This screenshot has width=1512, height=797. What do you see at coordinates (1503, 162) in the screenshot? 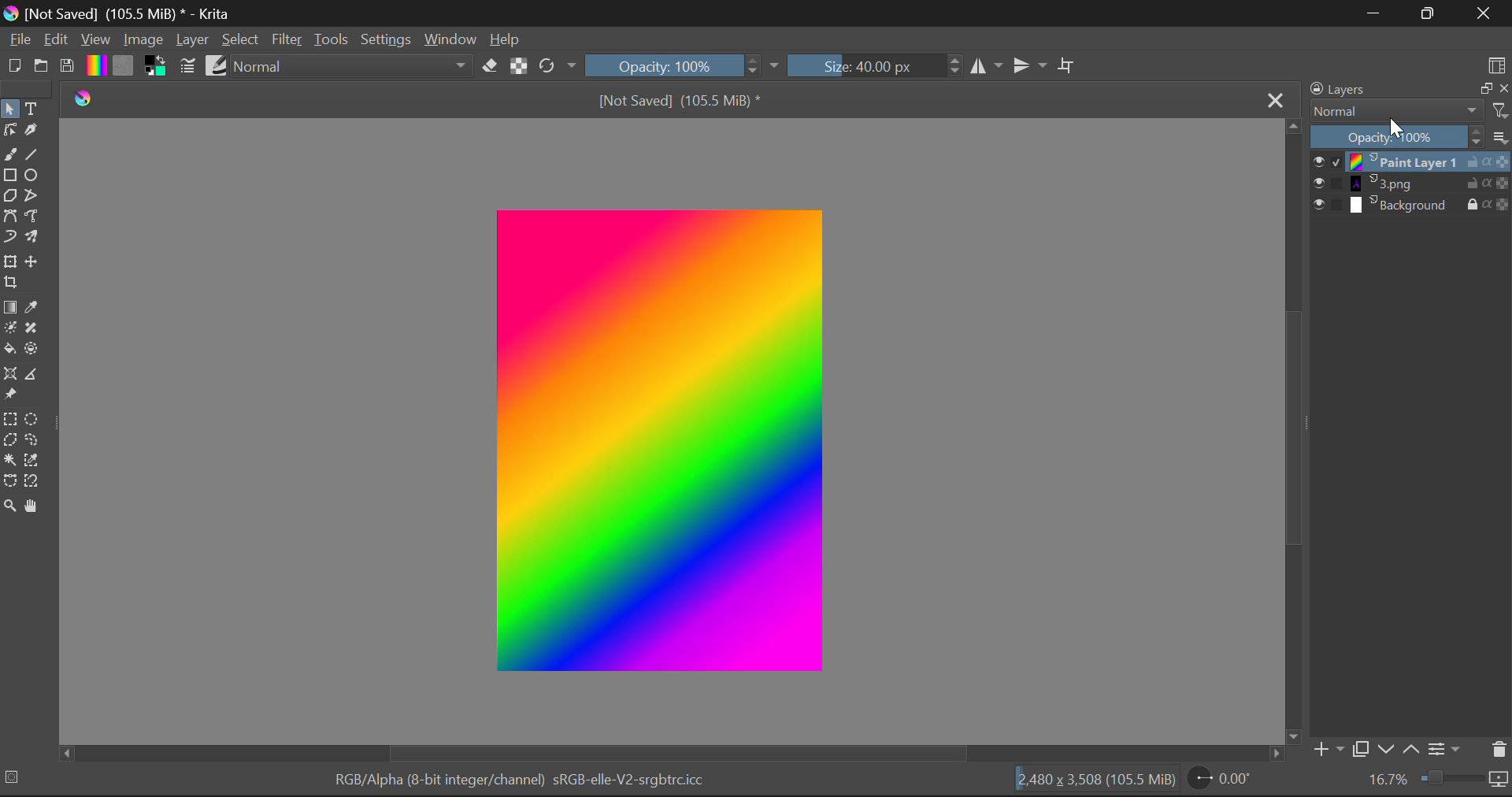
I see `Transparency ` at bounding box center [1503, 162].